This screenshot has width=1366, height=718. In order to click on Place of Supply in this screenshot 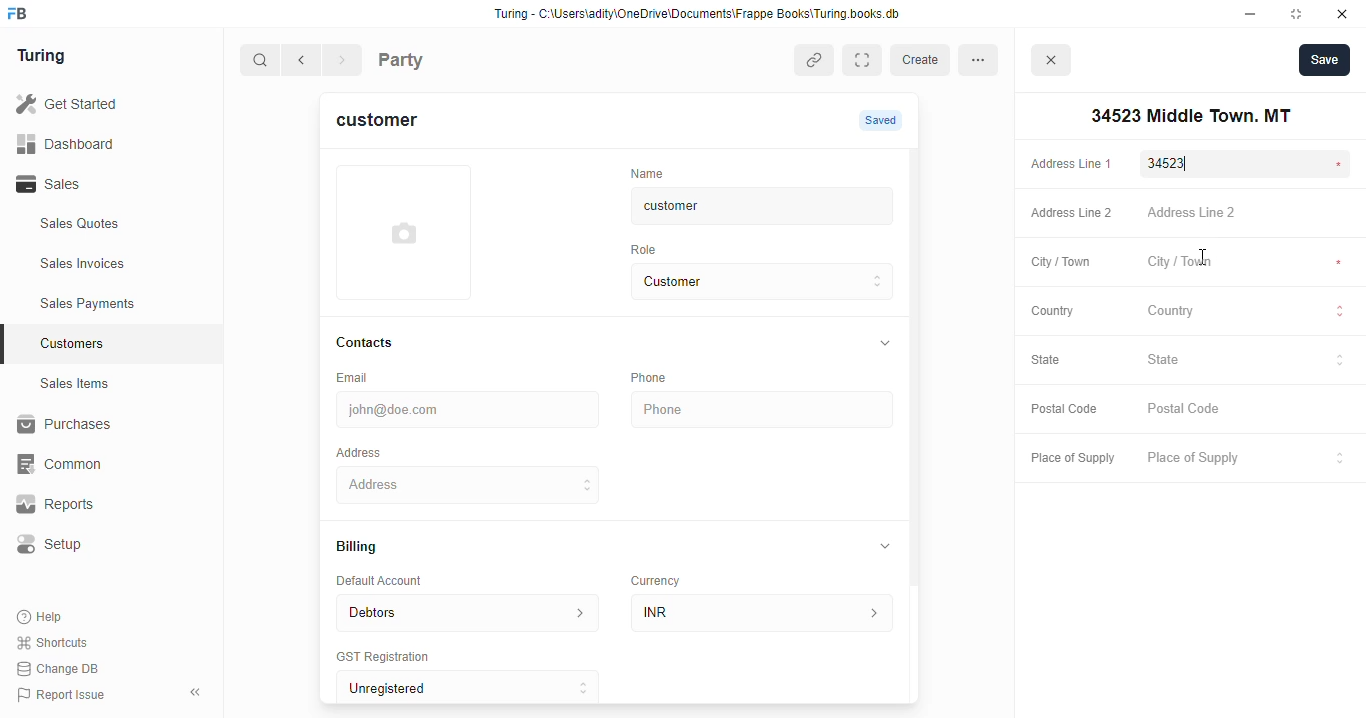, I will do `click(1243, 459)`.